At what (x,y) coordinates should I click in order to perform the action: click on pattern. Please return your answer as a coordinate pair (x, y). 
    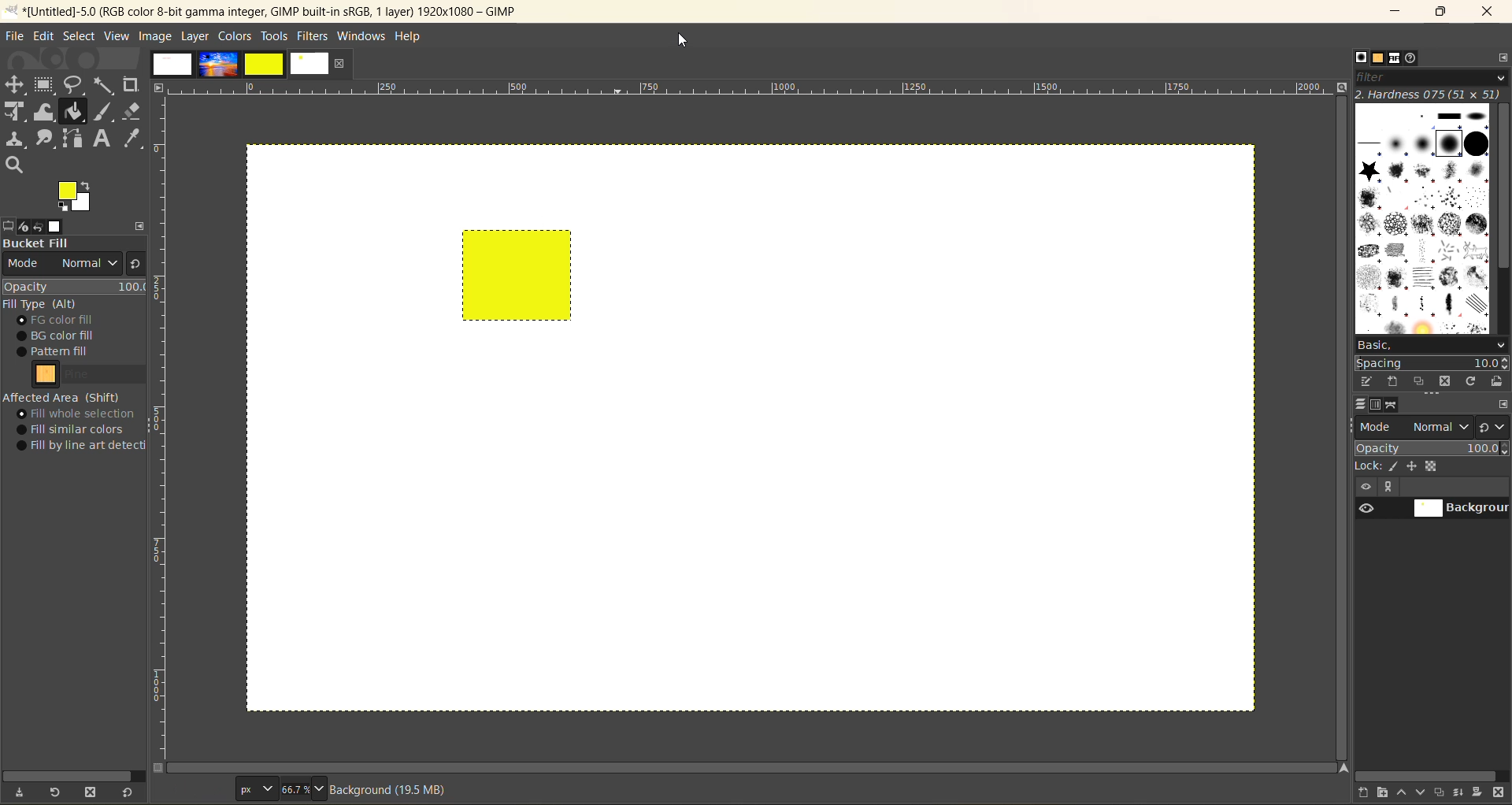
    Looking at the image, I should click on (84, 376).